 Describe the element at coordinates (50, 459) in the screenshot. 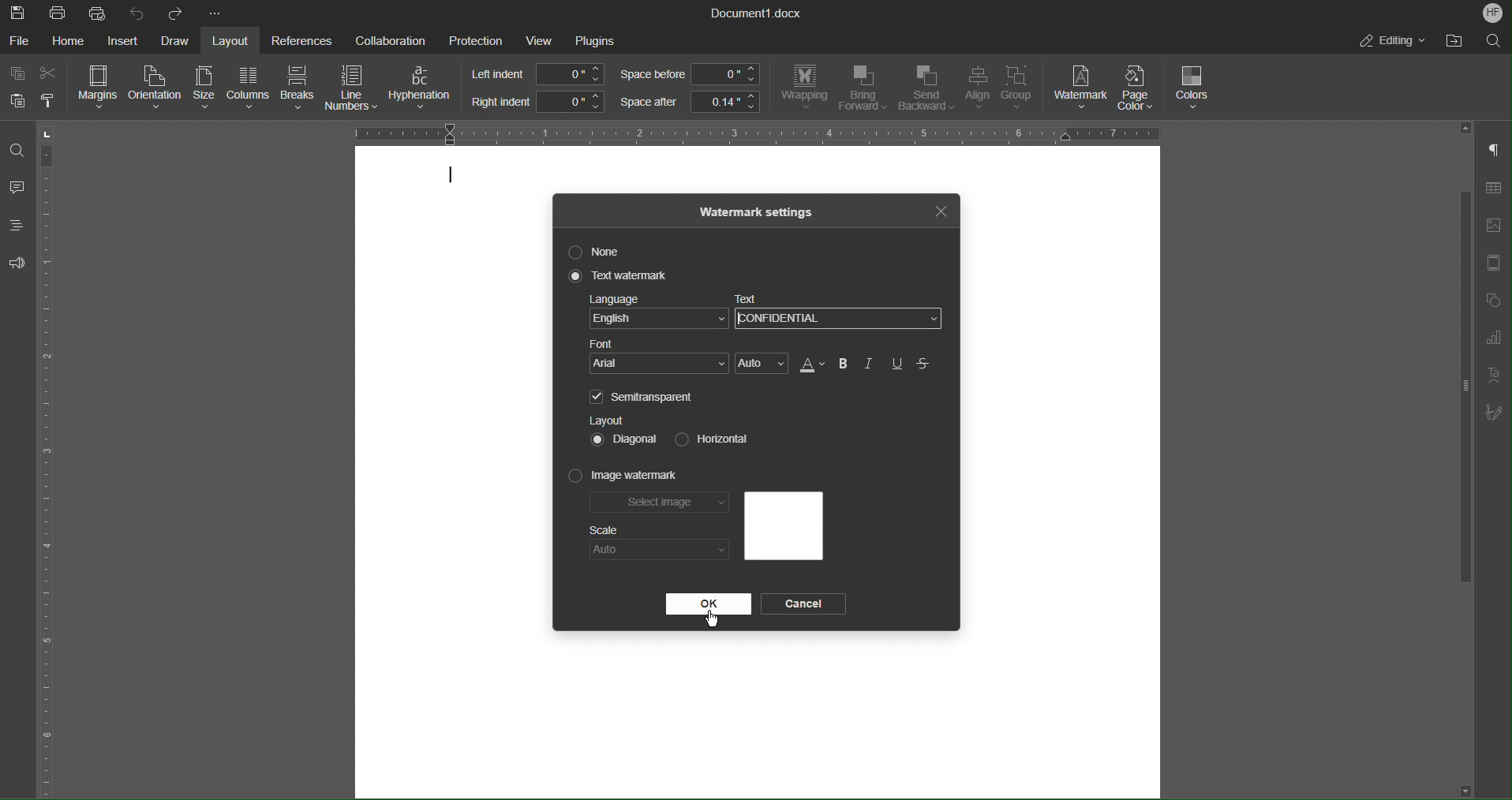

I see `Vertical Ruler` at that location.